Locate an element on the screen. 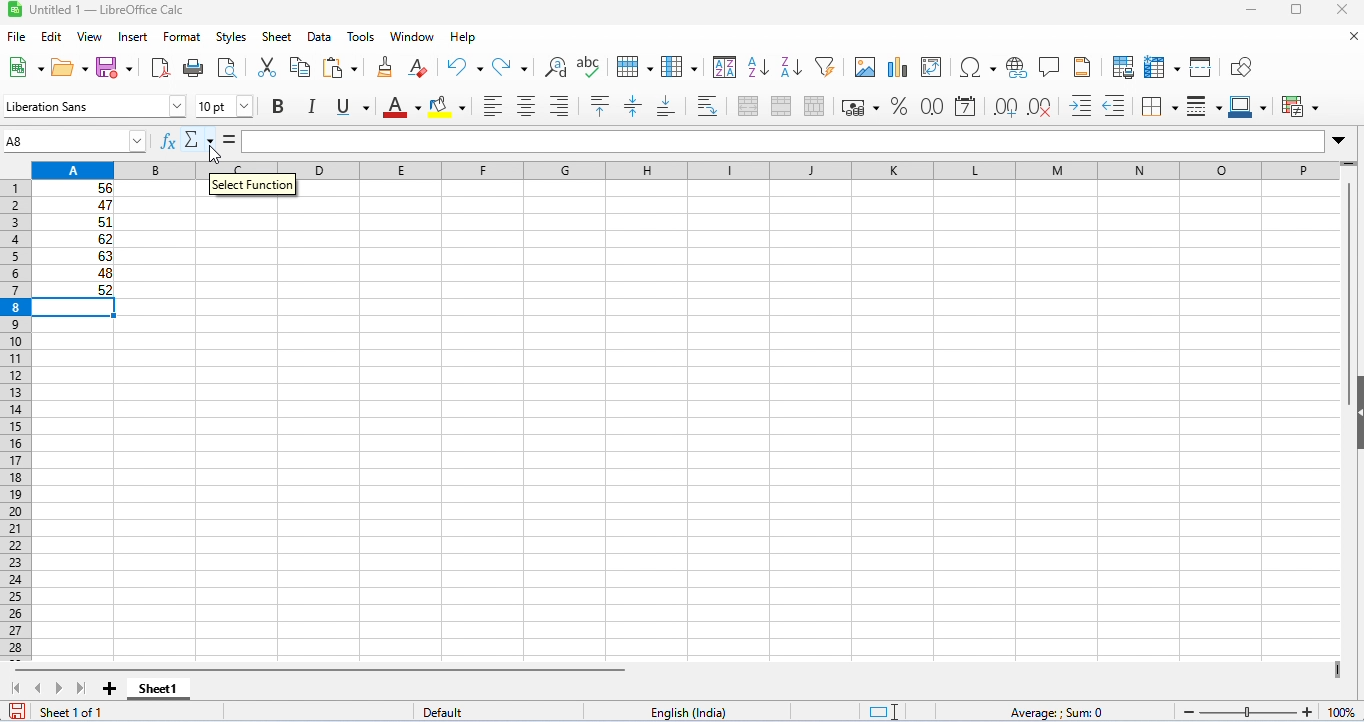 The image size is (1364, 722). previous sheet is located at coordinates (39, 687).